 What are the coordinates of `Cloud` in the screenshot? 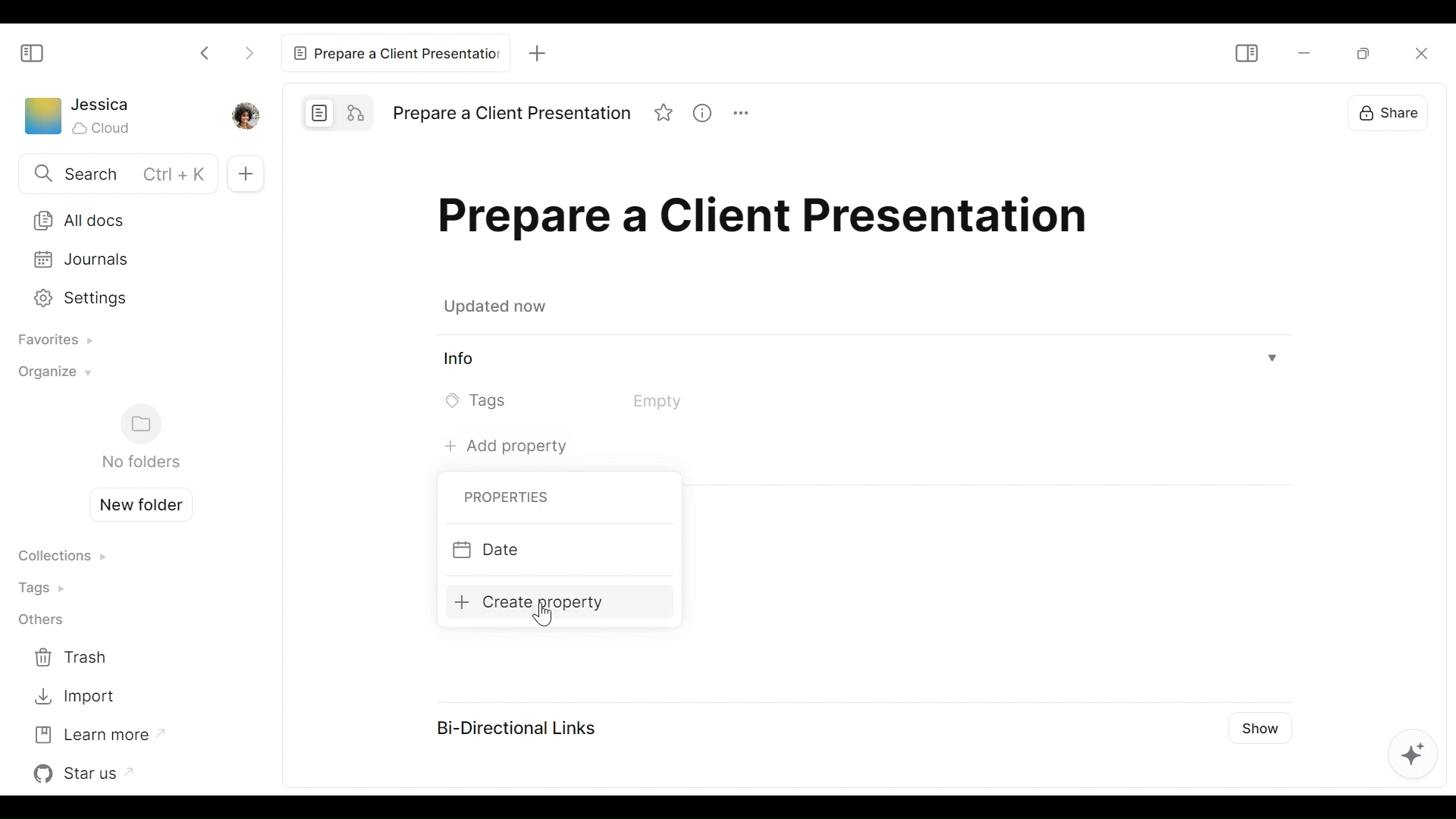 It's located at (103, 128).